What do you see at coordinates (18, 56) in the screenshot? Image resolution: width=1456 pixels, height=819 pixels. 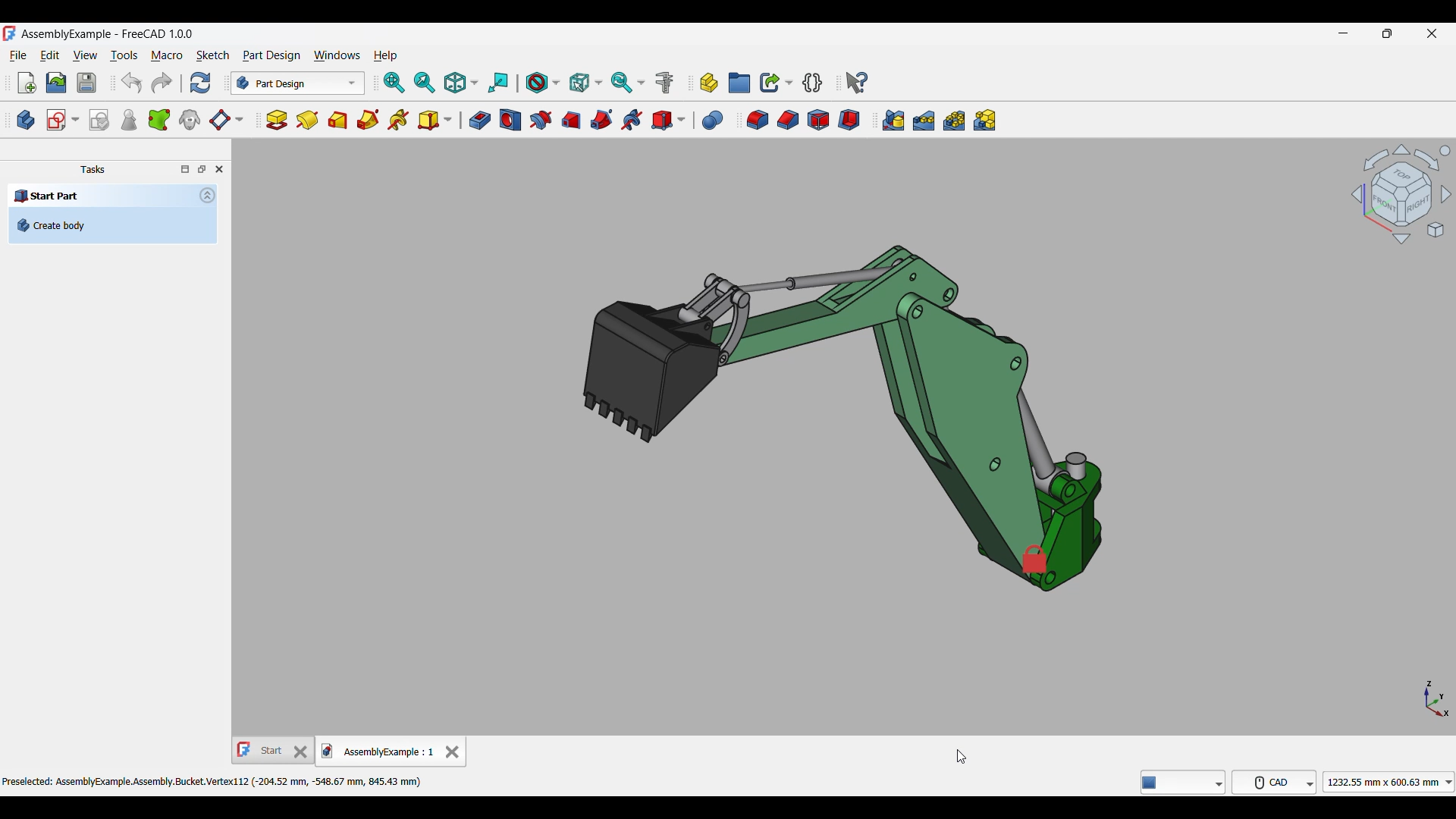 I see `File menu` at bounding box center [18, 56].